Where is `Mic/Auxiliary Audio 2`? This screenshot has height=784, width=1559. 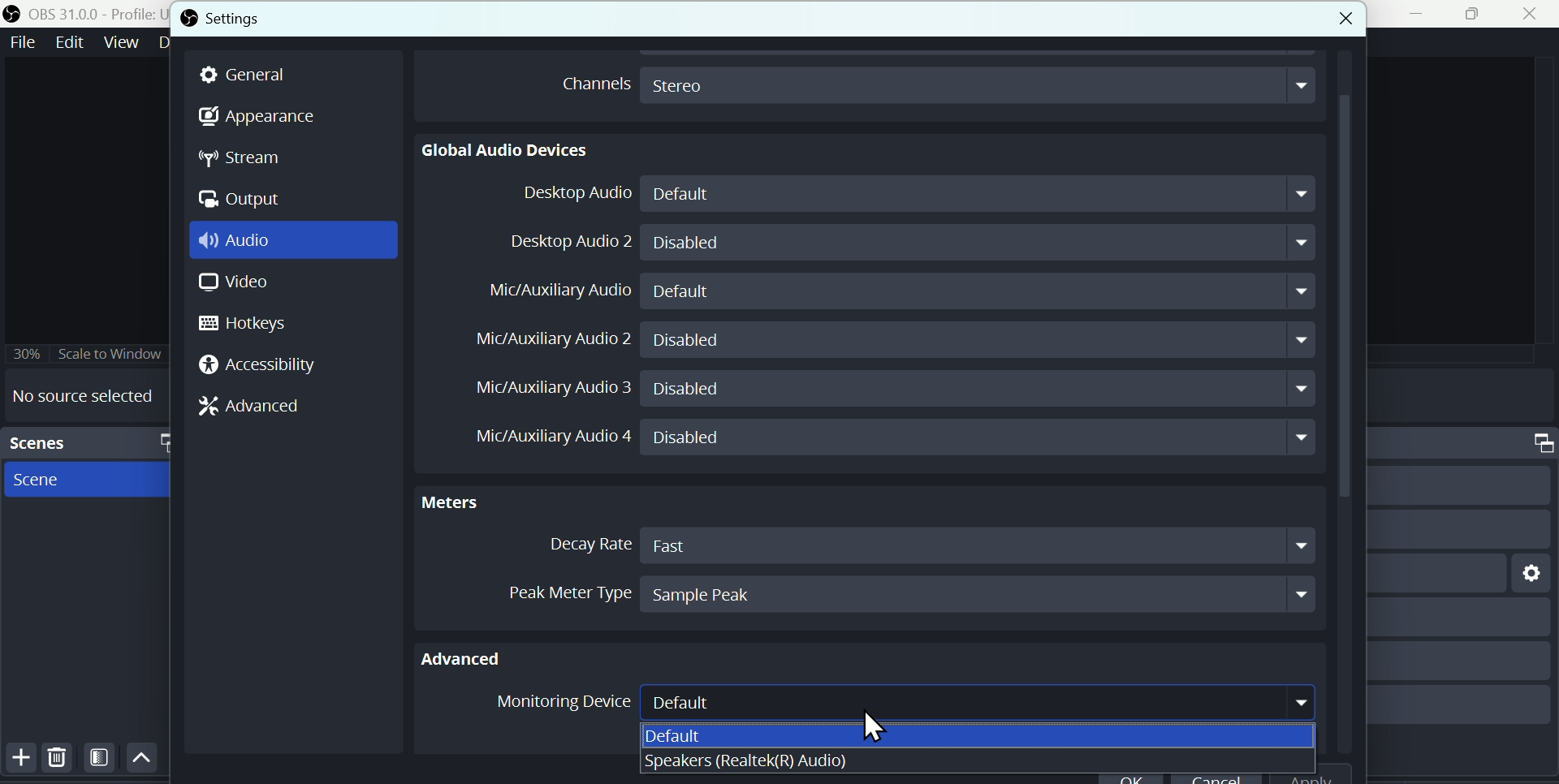
Mic/Auxiliary Audio 2 is located at coordinates (551, 337).